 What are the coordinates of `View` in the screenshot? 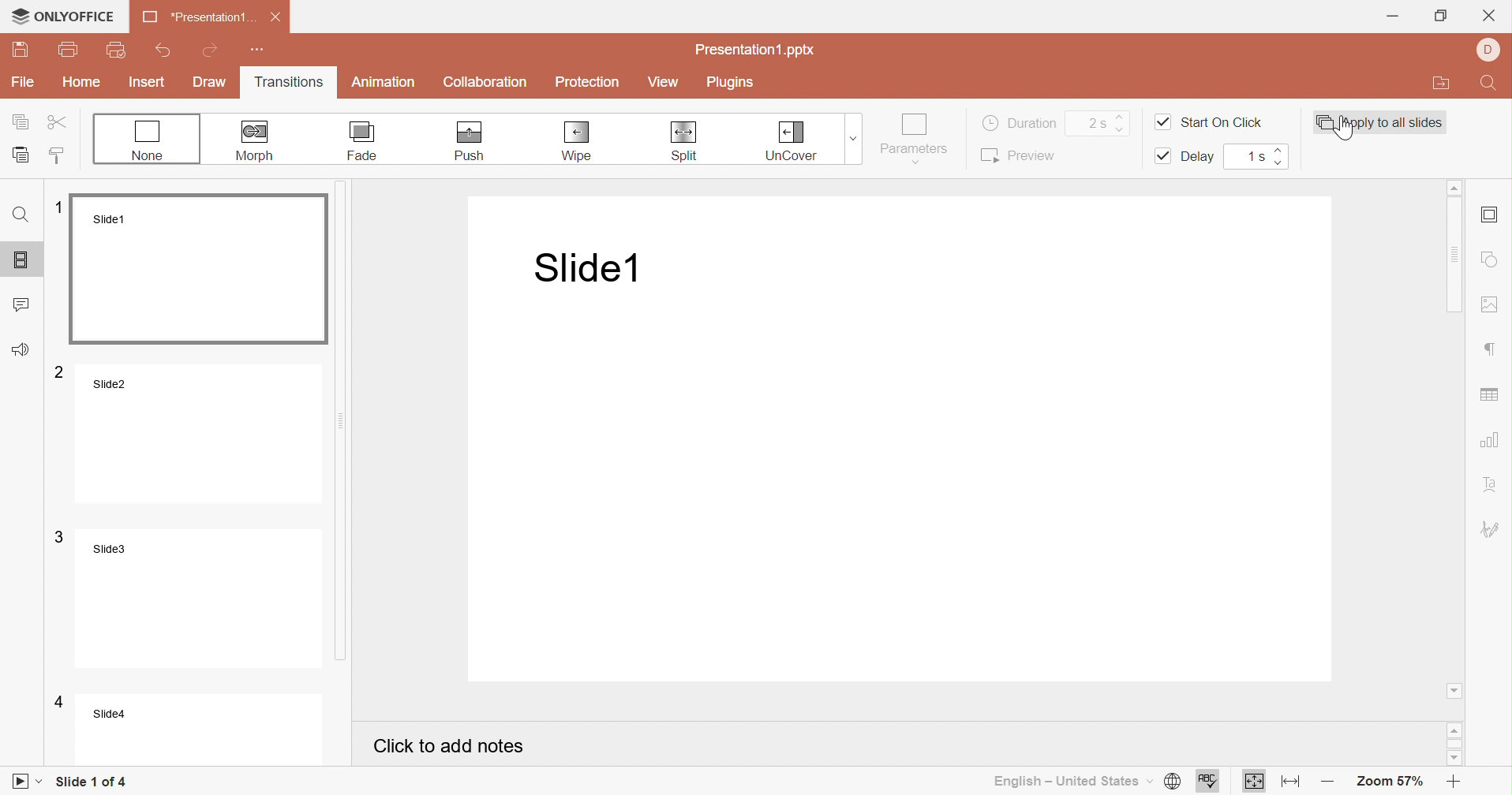 It's located at (664, 83).